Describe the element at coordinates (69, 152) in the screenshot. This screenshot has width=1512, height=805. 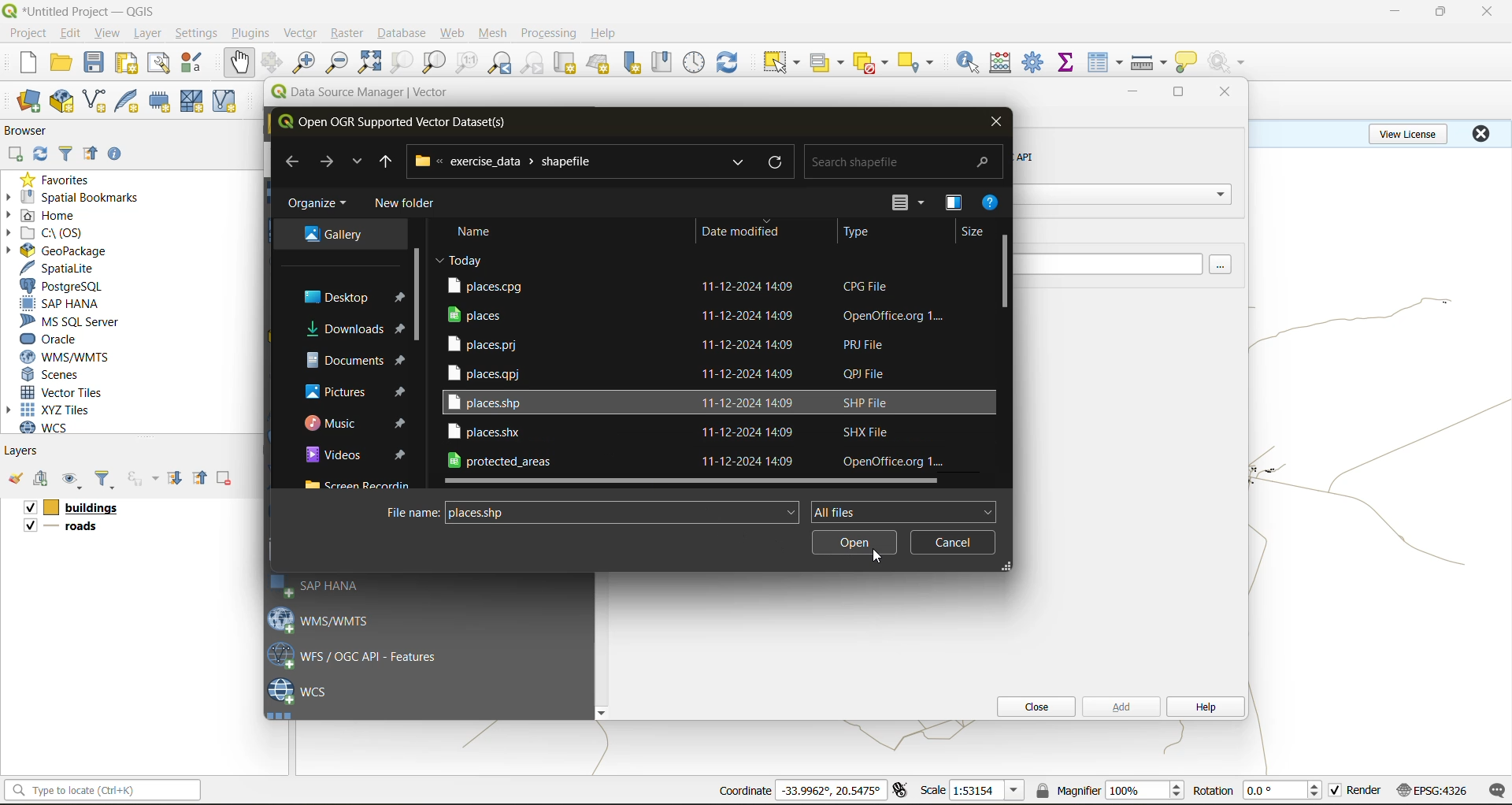
I see `filter` at that location.